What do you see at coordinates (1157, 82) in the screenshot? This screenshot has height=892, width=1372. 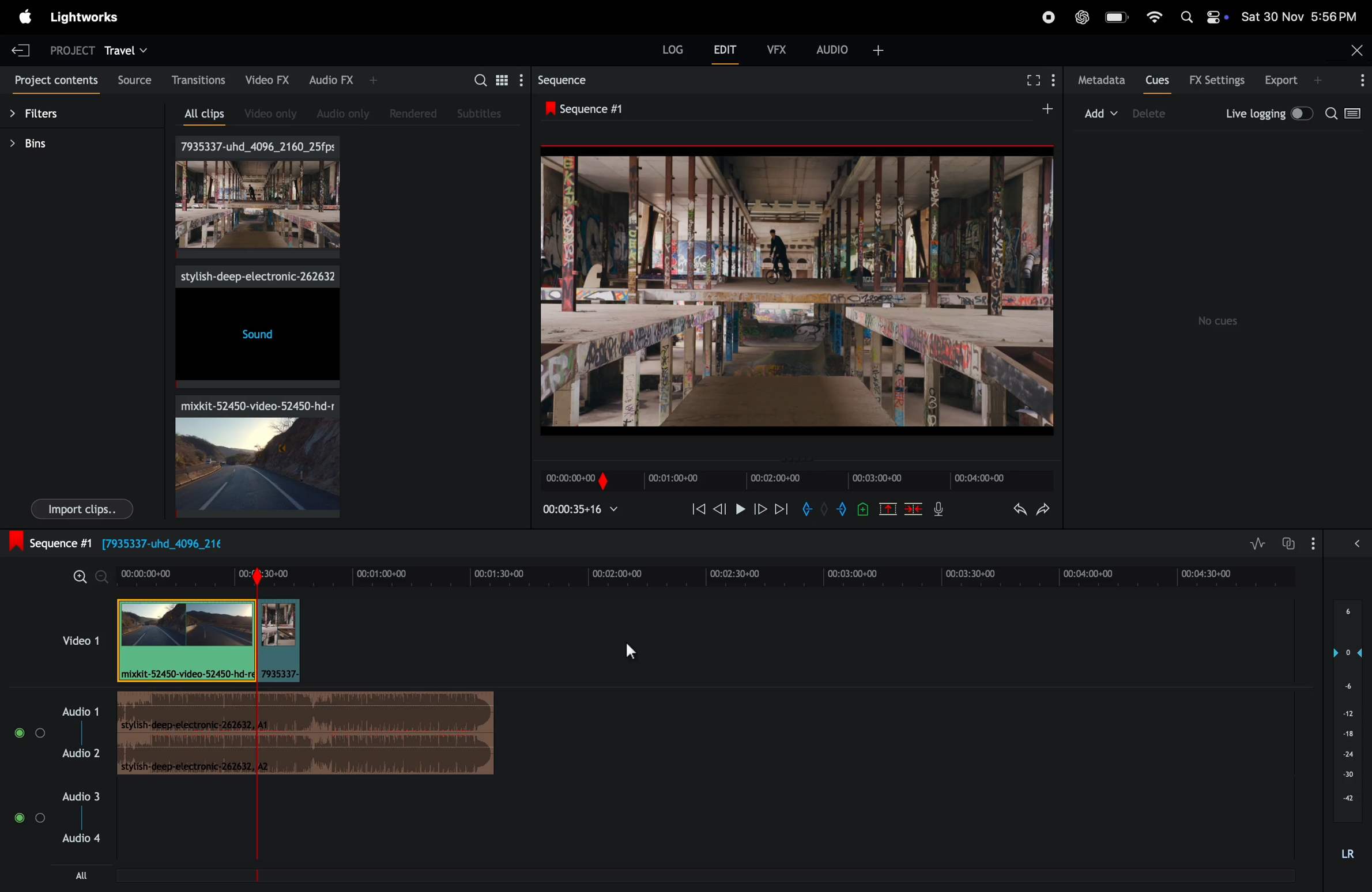 I see `cues` at bounding box center [1157, 82].